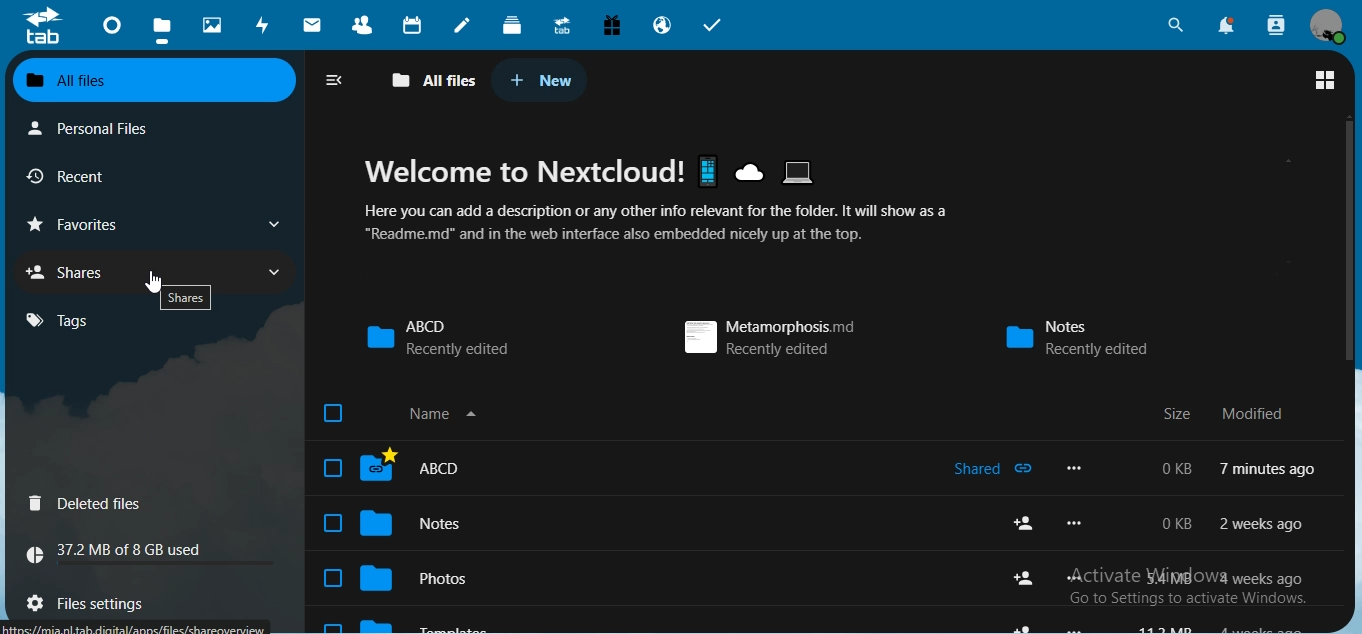 This screenshot has height=634, width=1362. What do you see at coordinates (1325, 82) in the screenshot?
I see `view` at bounding box center [1325, 82].